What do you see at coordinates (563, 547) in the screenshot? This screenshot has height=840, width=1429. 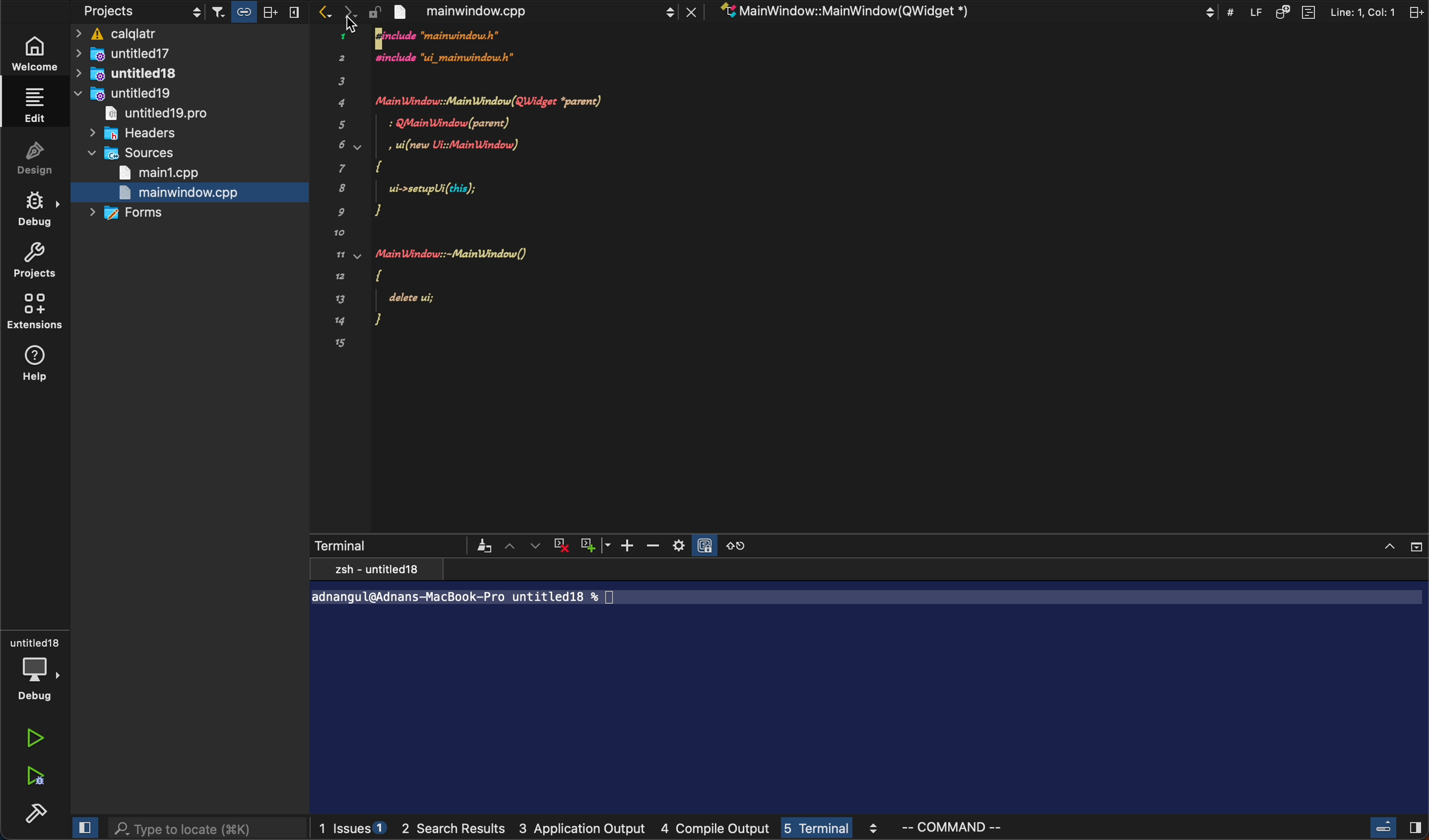 I see `Delete Terminal` at bounding box center [563, 547].